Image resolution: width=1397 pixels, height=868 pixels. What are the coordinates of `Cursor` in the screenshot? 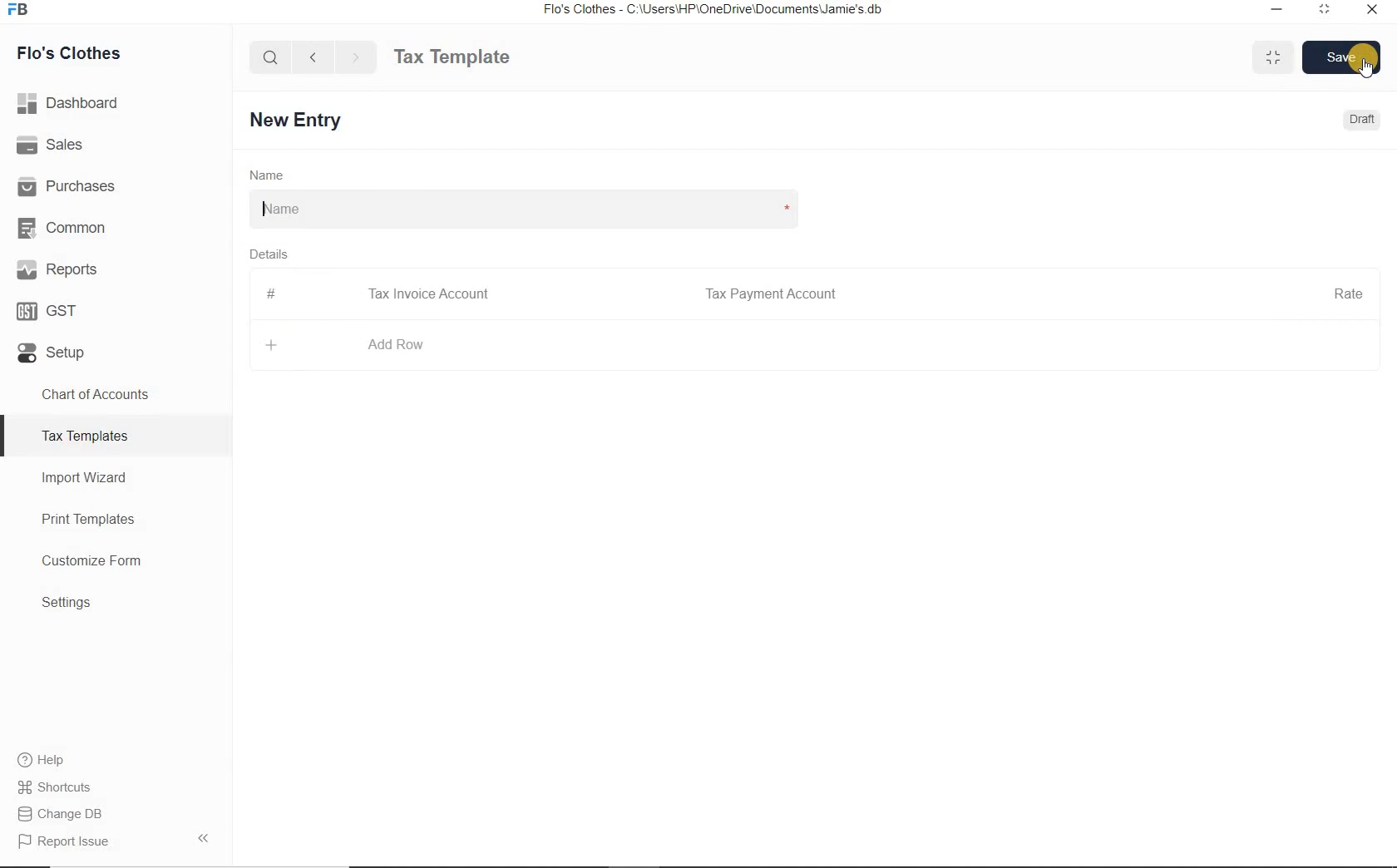 It's located at (1367, 67).